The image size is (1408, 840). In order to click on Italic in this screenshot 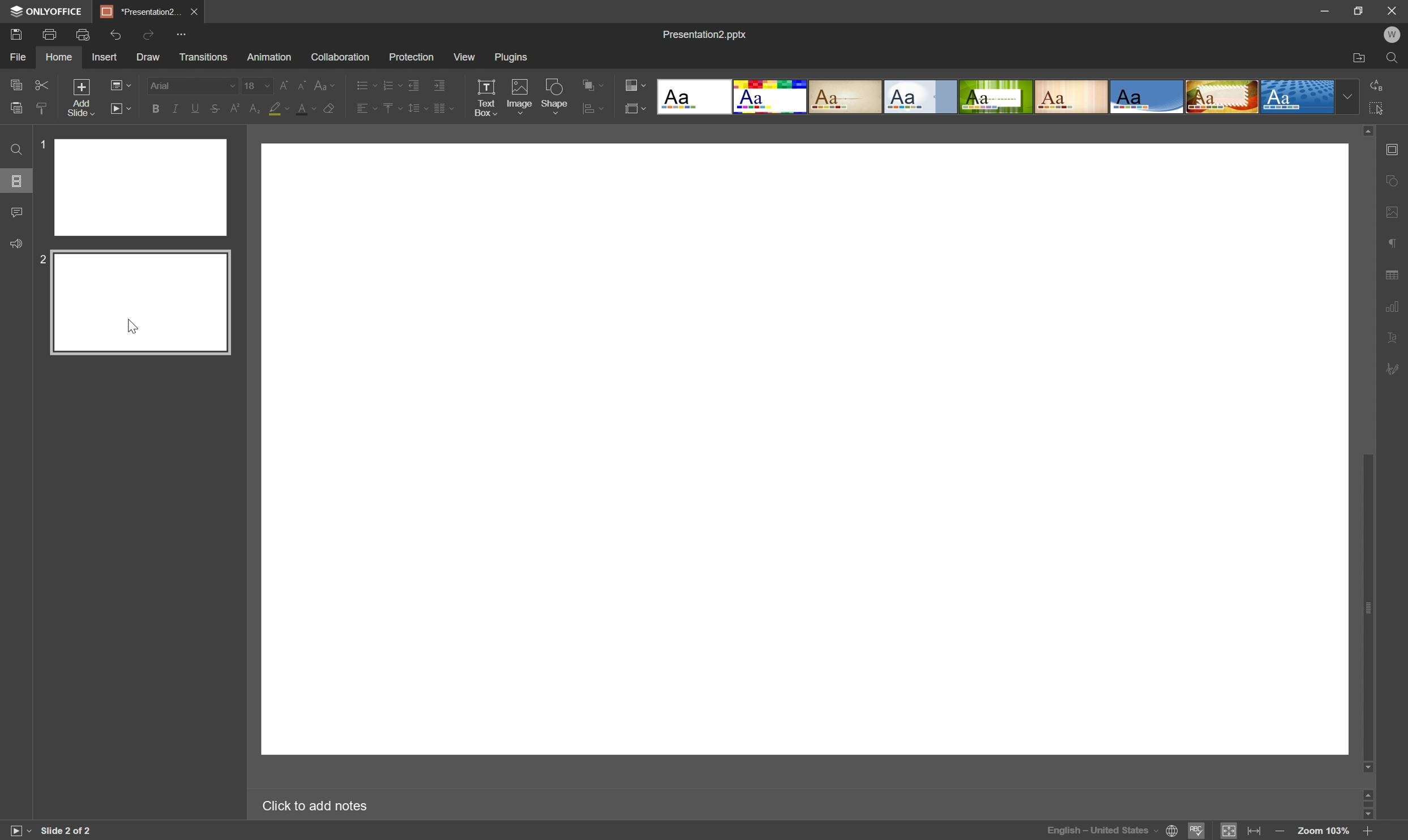, I will do `click(173, 110)`.